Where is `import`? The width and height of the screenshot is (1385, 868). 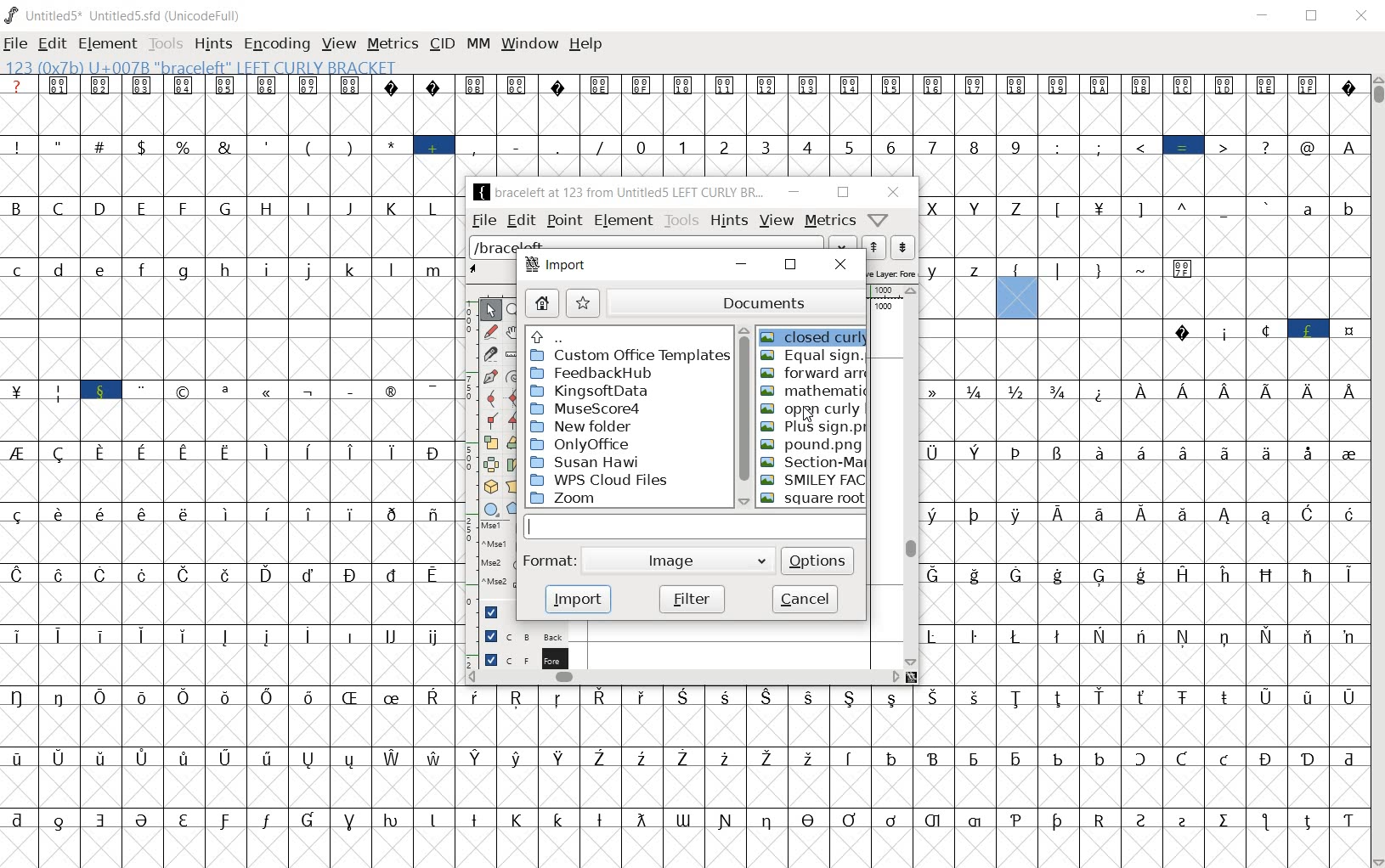
import is located at coordinates (578, 599).